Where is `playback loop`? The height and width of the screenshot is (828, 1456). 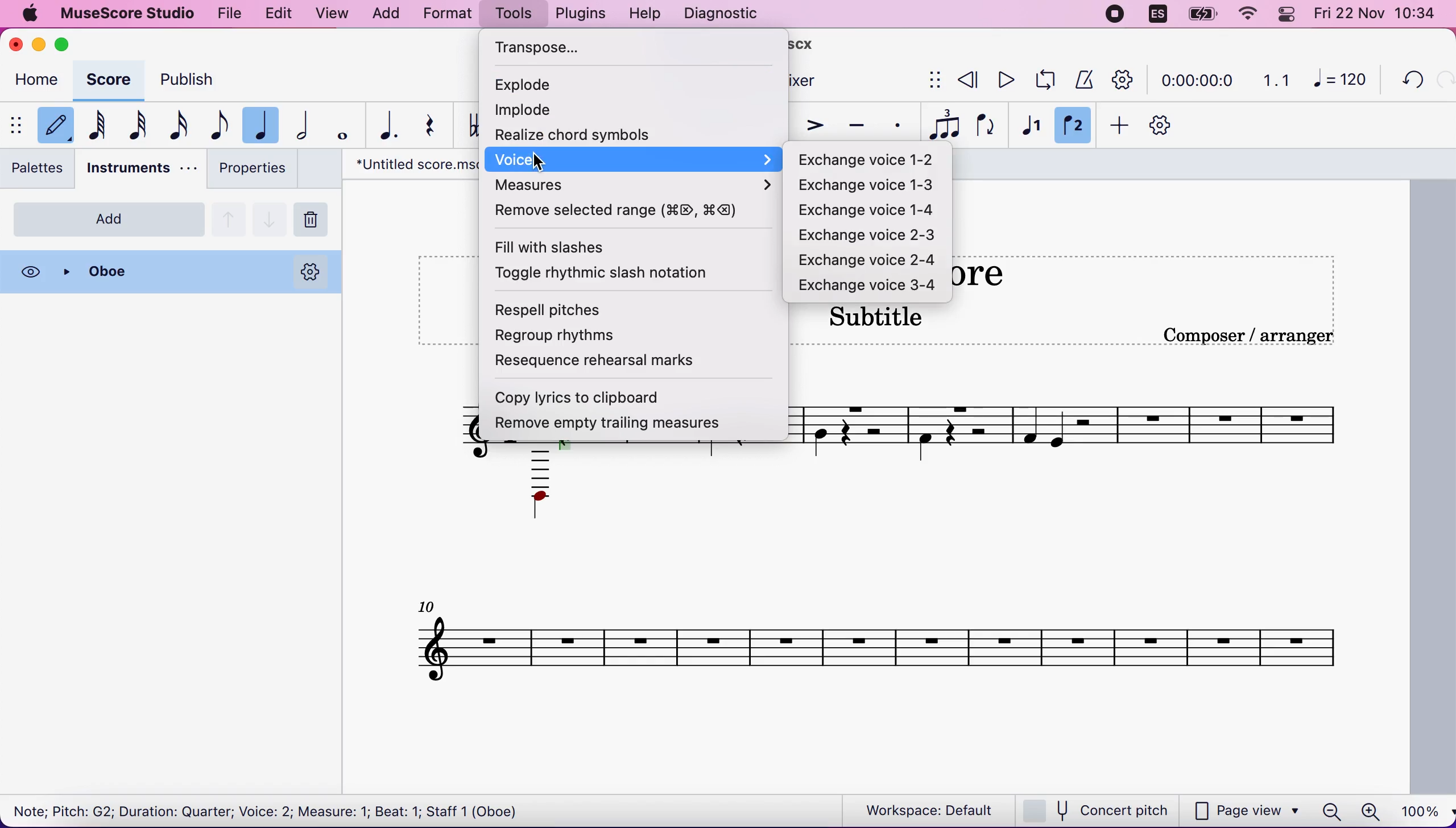
playback loop is located at coordinates (1042, 82).